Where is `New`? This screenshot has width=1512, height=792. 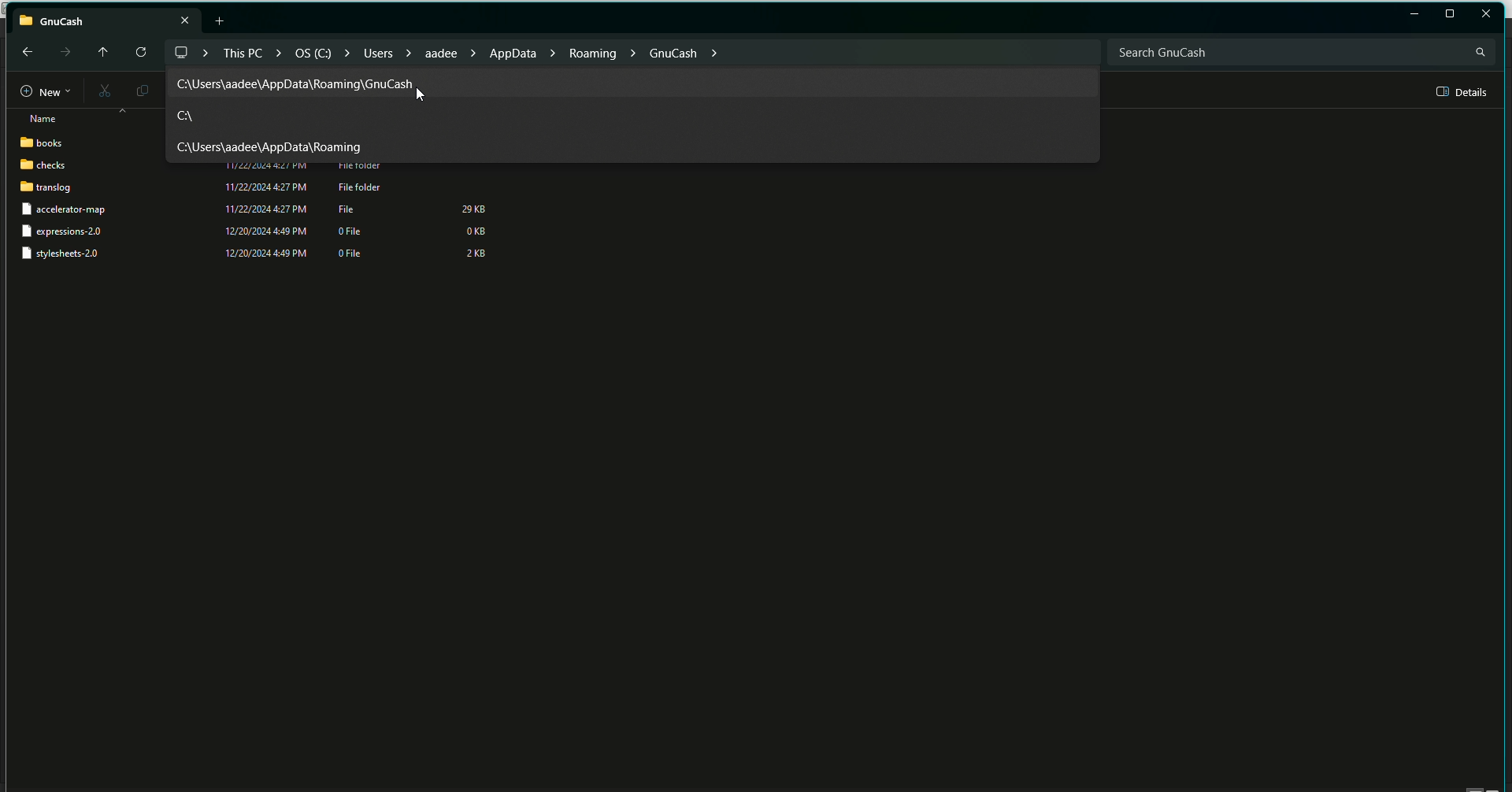
New is located at coordinates (38, 92).